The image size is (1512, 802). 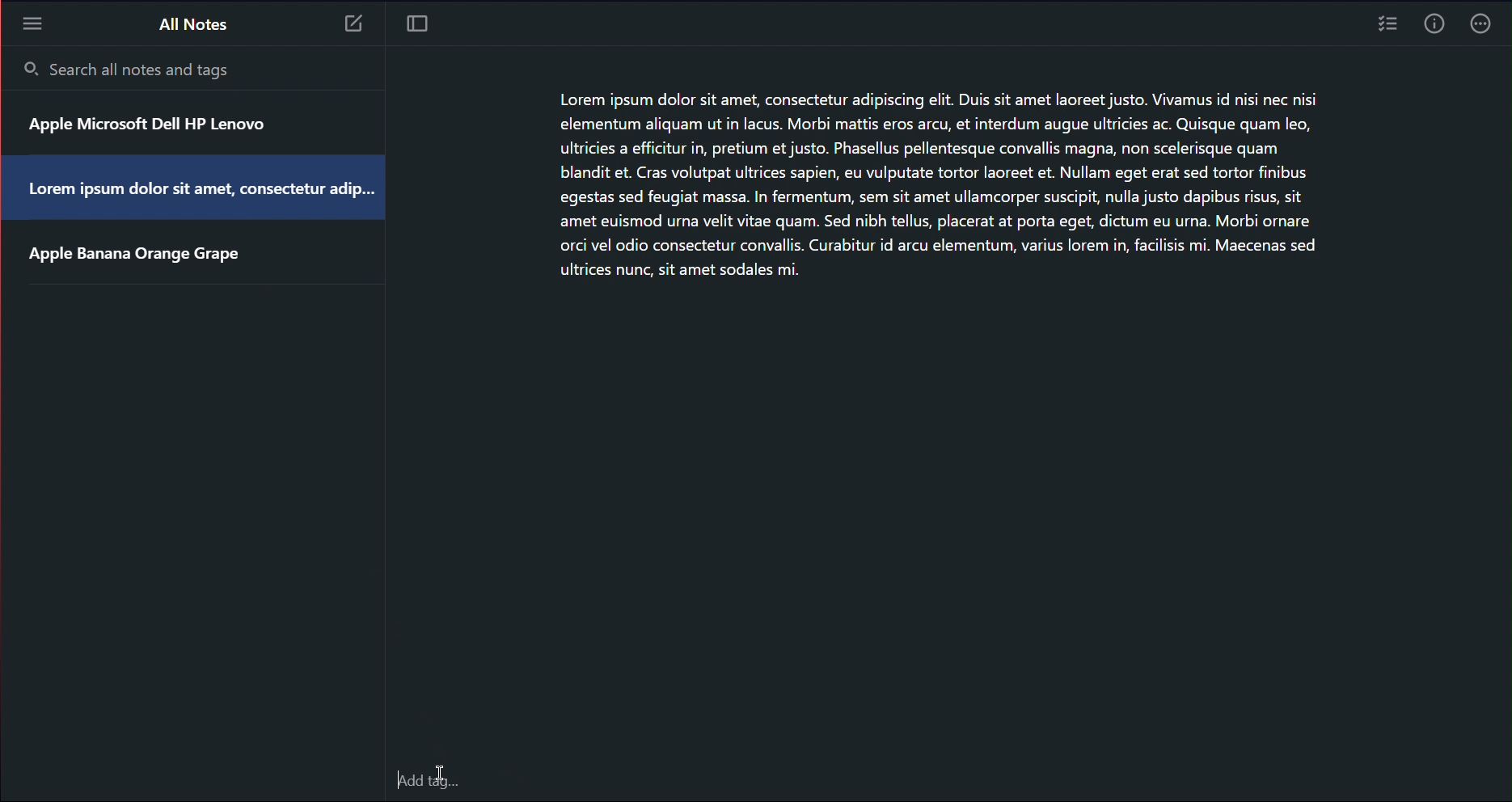 I want to click on add Tags, so click(x=442, y=782).